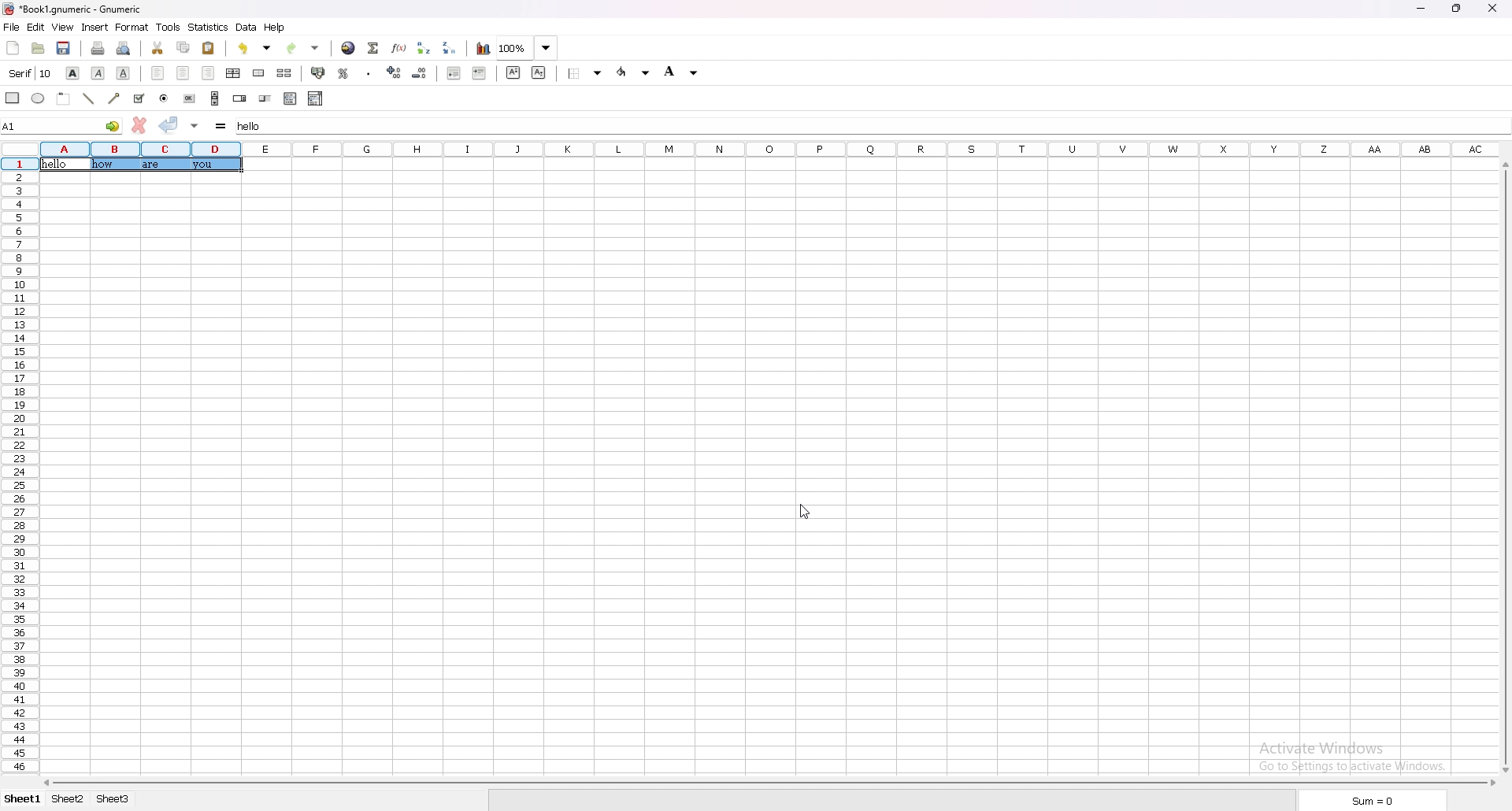 Image resolution: width=1512 pixels, height=811 pixels. Describe the element at coordinates (684, 71) in the screenshot. I see `background` at that location.